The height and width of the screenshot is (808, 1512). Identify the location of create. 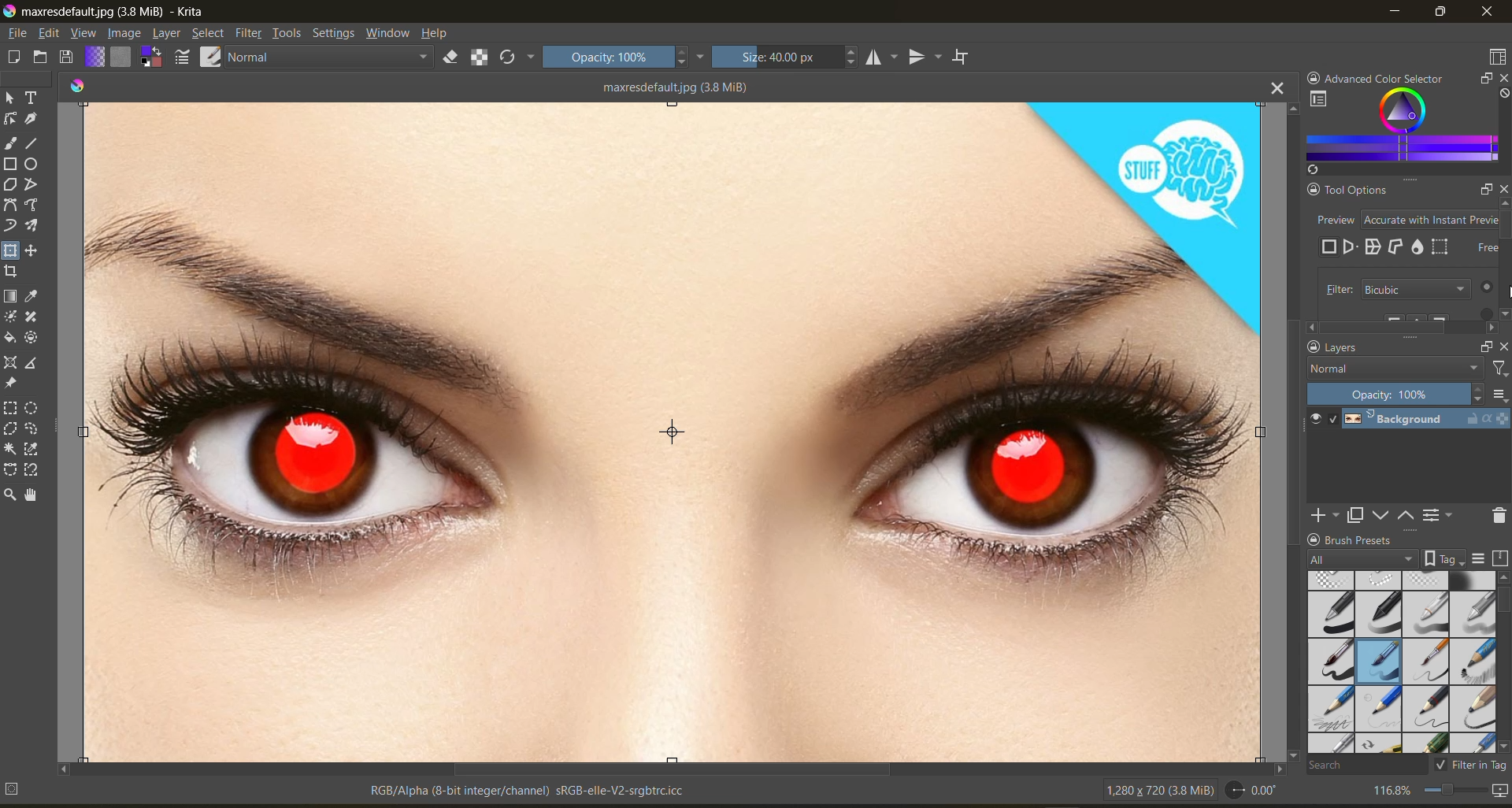
(13, 59).